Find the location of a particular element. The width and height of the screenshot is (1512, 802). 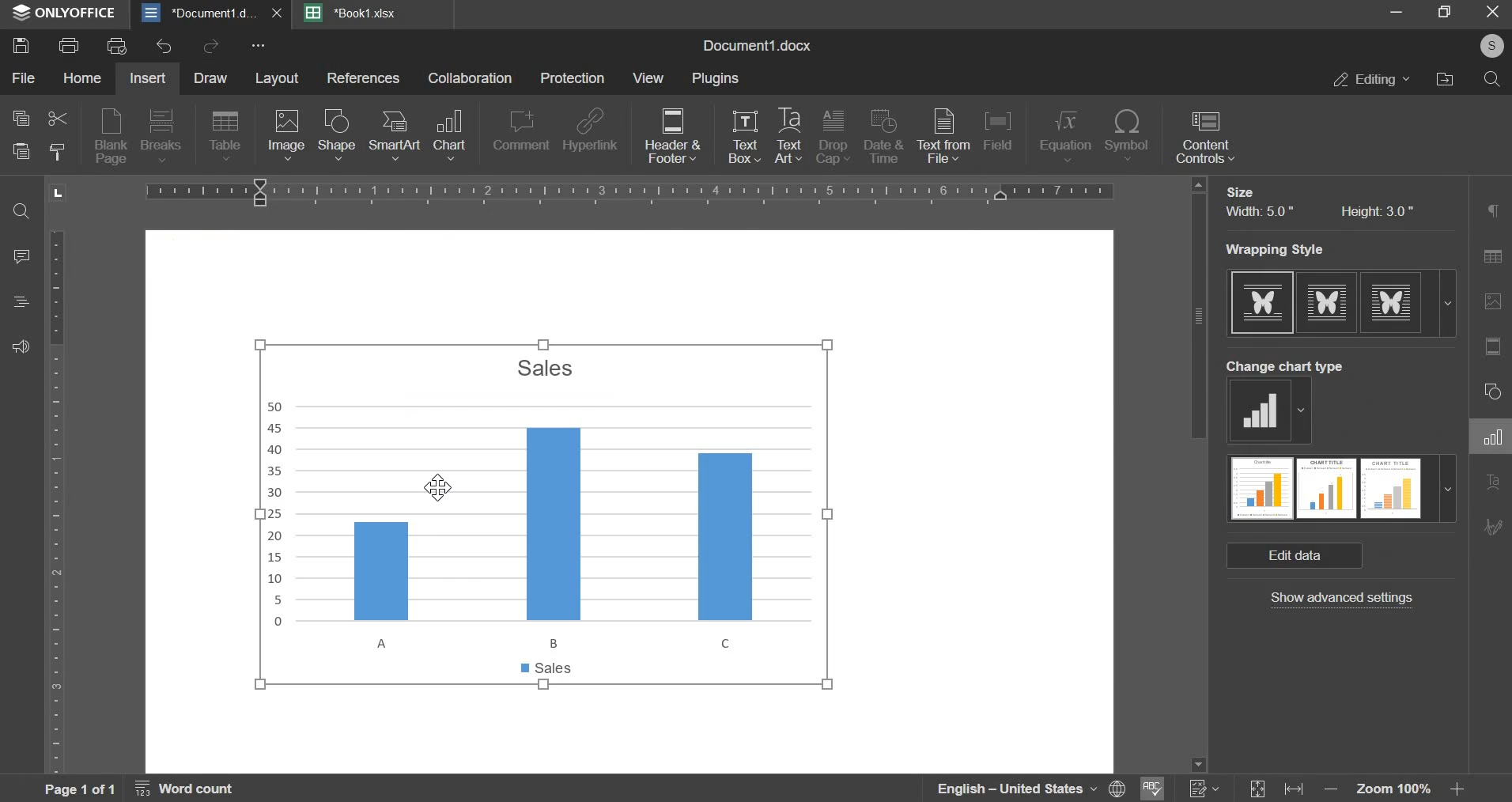

collaboration is located at coordinates (471, 79).